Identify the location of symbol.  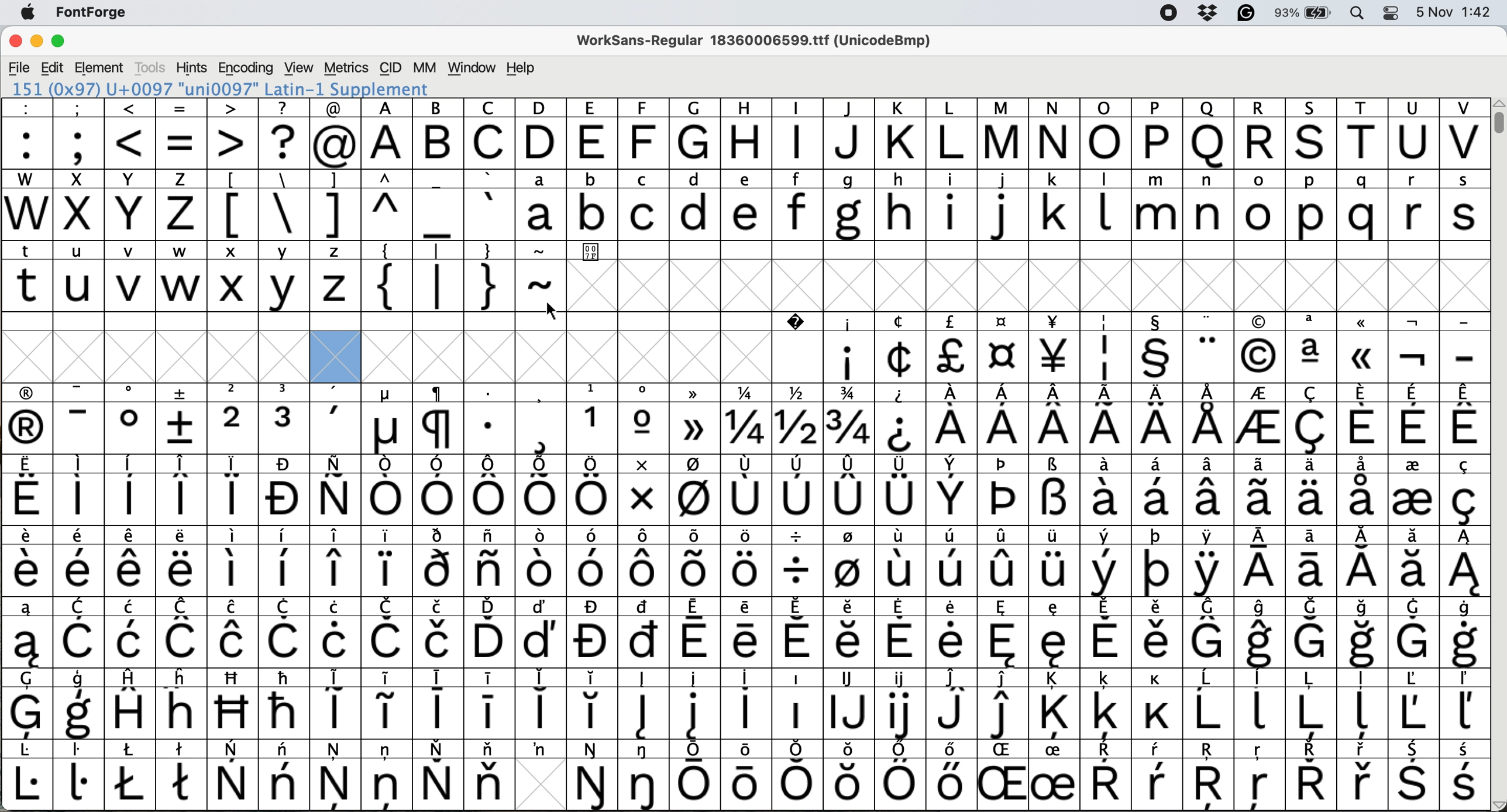
(1057, 632).